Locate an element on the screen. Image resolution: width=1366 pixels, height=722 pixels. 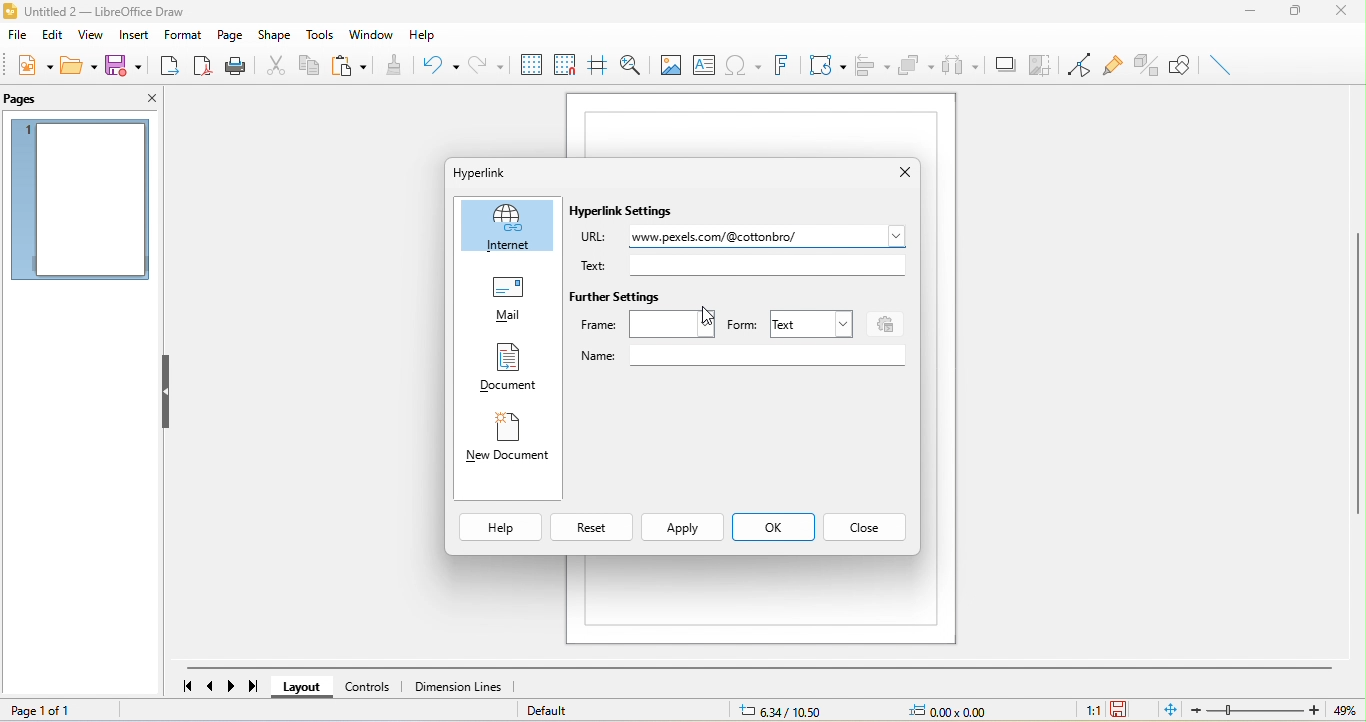
1:1 is located at coordinates (1085, 711).